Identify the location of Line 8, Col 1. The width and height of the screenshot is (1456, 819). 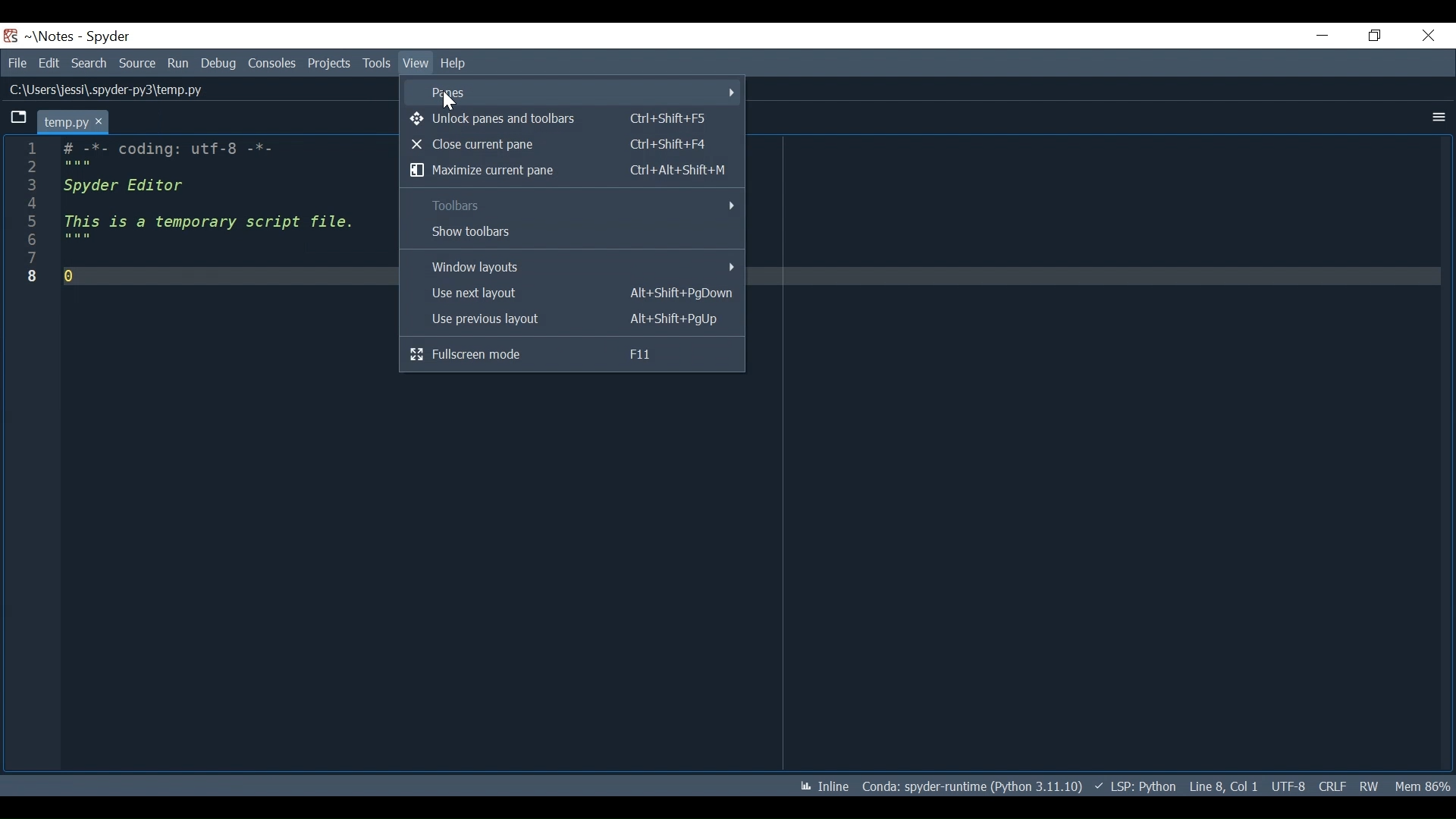
(1222, 787).